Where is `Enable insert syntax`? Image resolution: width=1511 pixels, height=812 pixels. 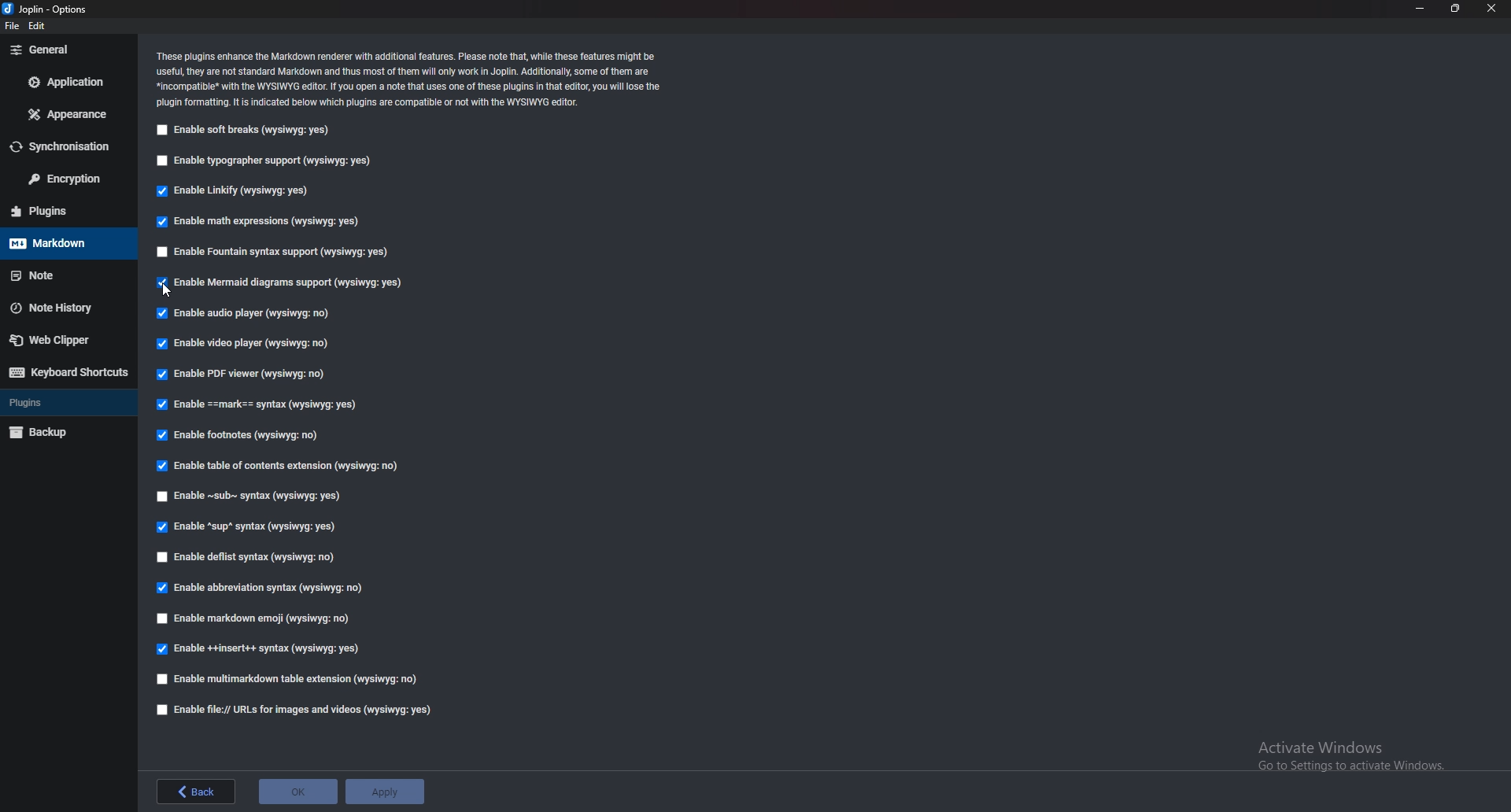
Enable insert syntax is located at coordinates (266, 648).